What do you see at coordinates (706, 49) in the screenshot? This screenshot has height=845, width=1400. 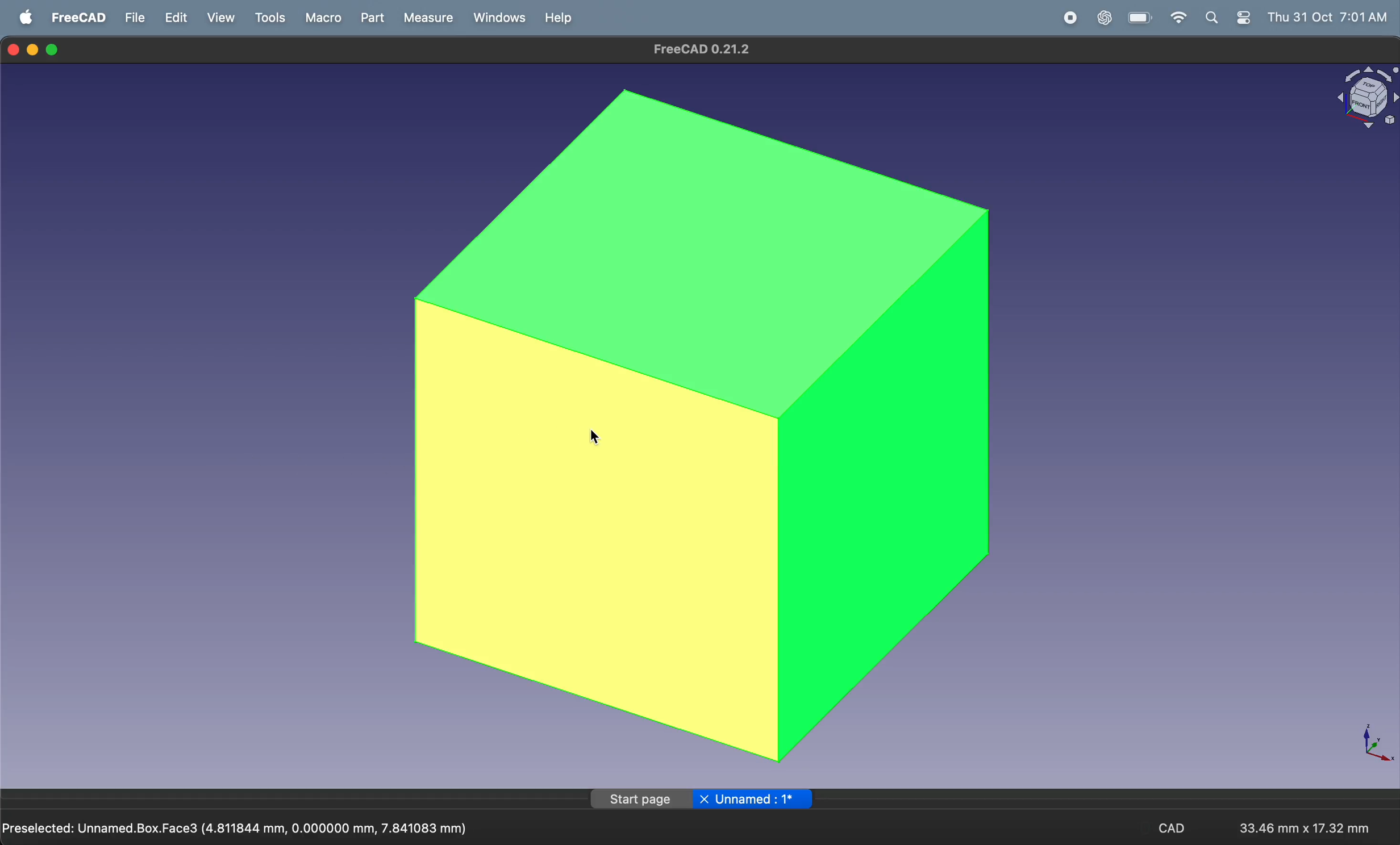 I see `free cad title` at bounding box center [706, 49].